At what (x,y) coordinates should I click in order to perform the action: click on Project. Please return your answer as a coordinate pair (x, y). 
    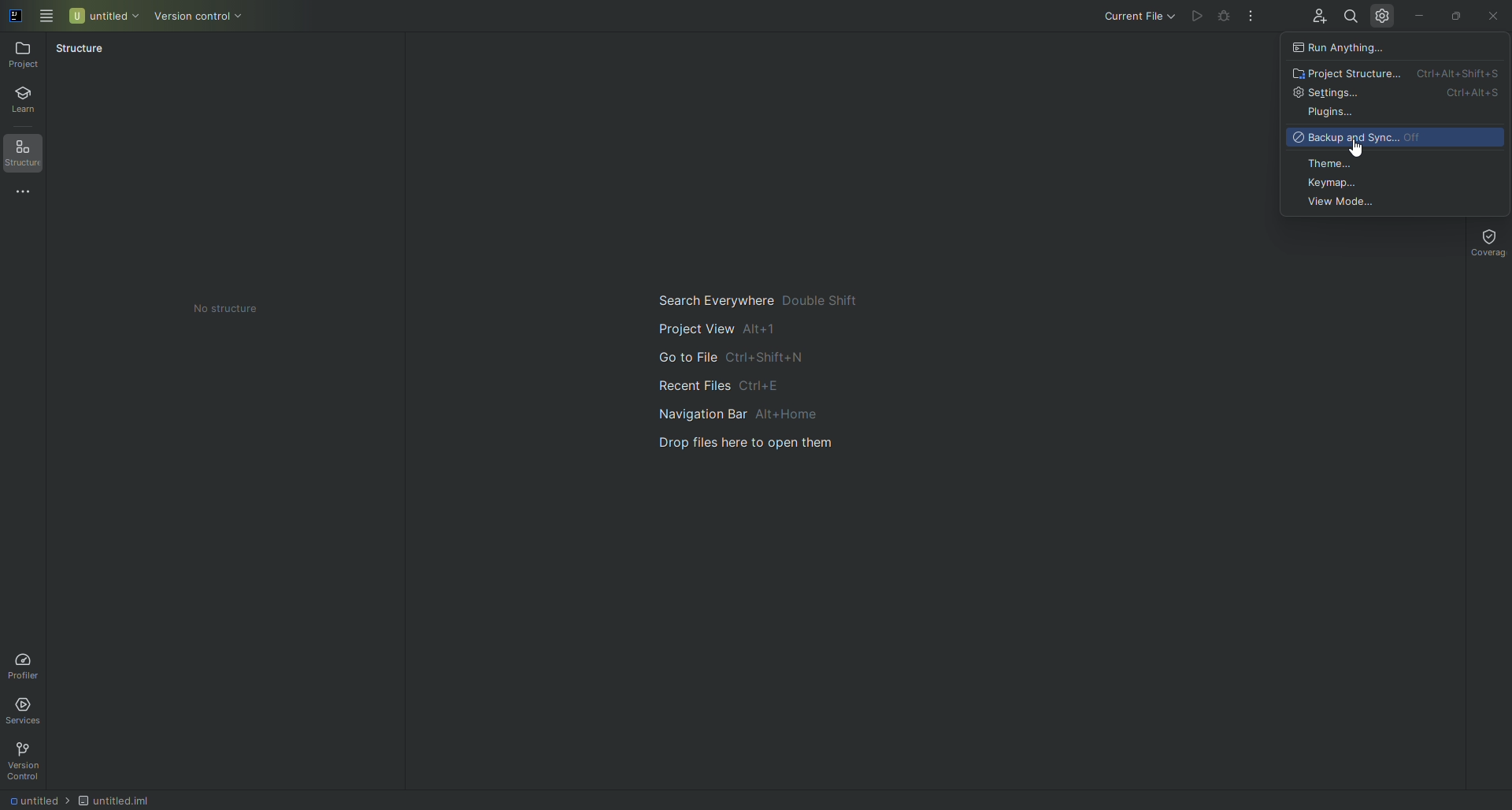
    Looking at the image, I should click on (26, 54).